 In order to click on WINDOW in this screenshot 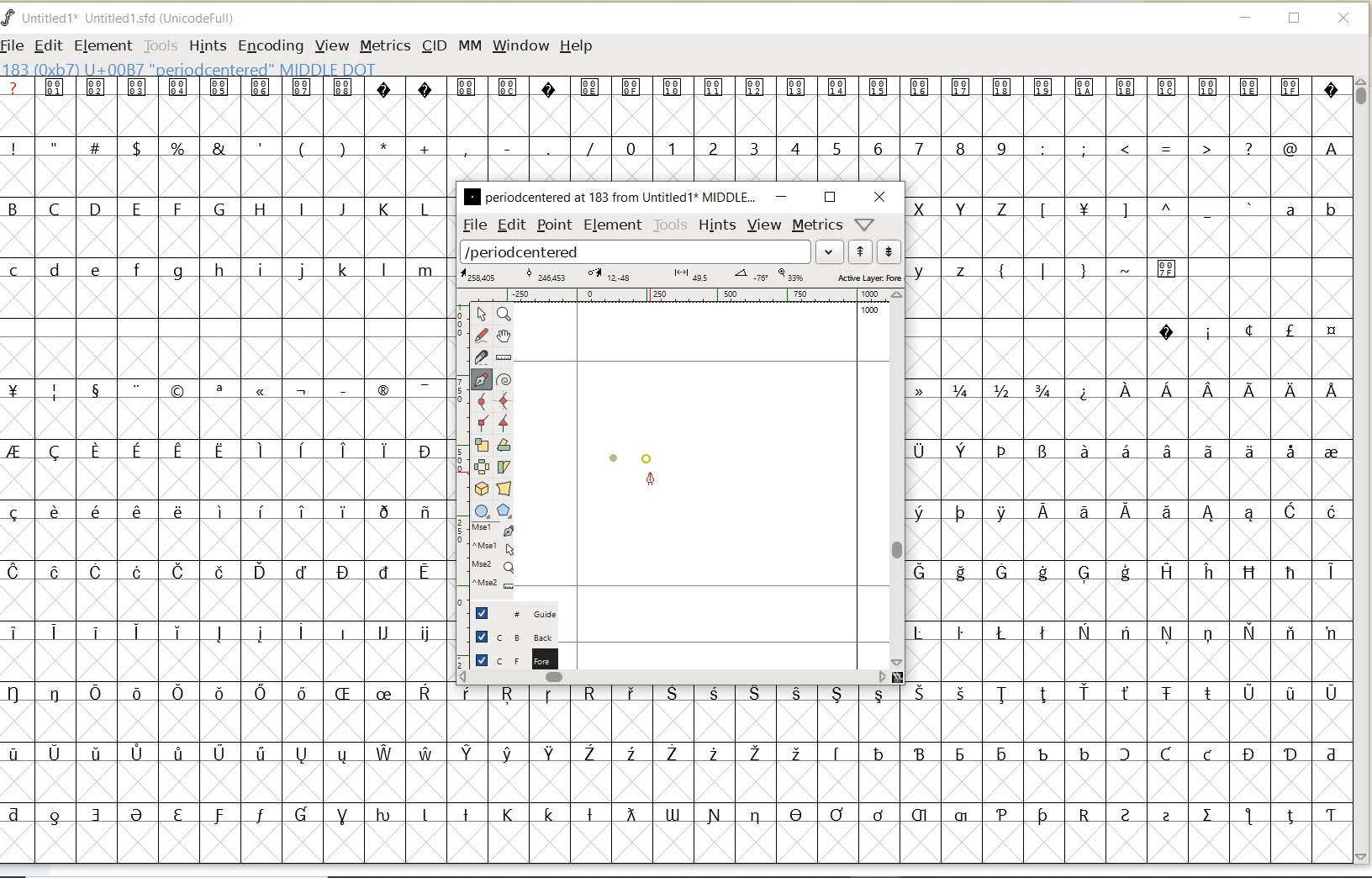, I will do `click(520, 45)`.